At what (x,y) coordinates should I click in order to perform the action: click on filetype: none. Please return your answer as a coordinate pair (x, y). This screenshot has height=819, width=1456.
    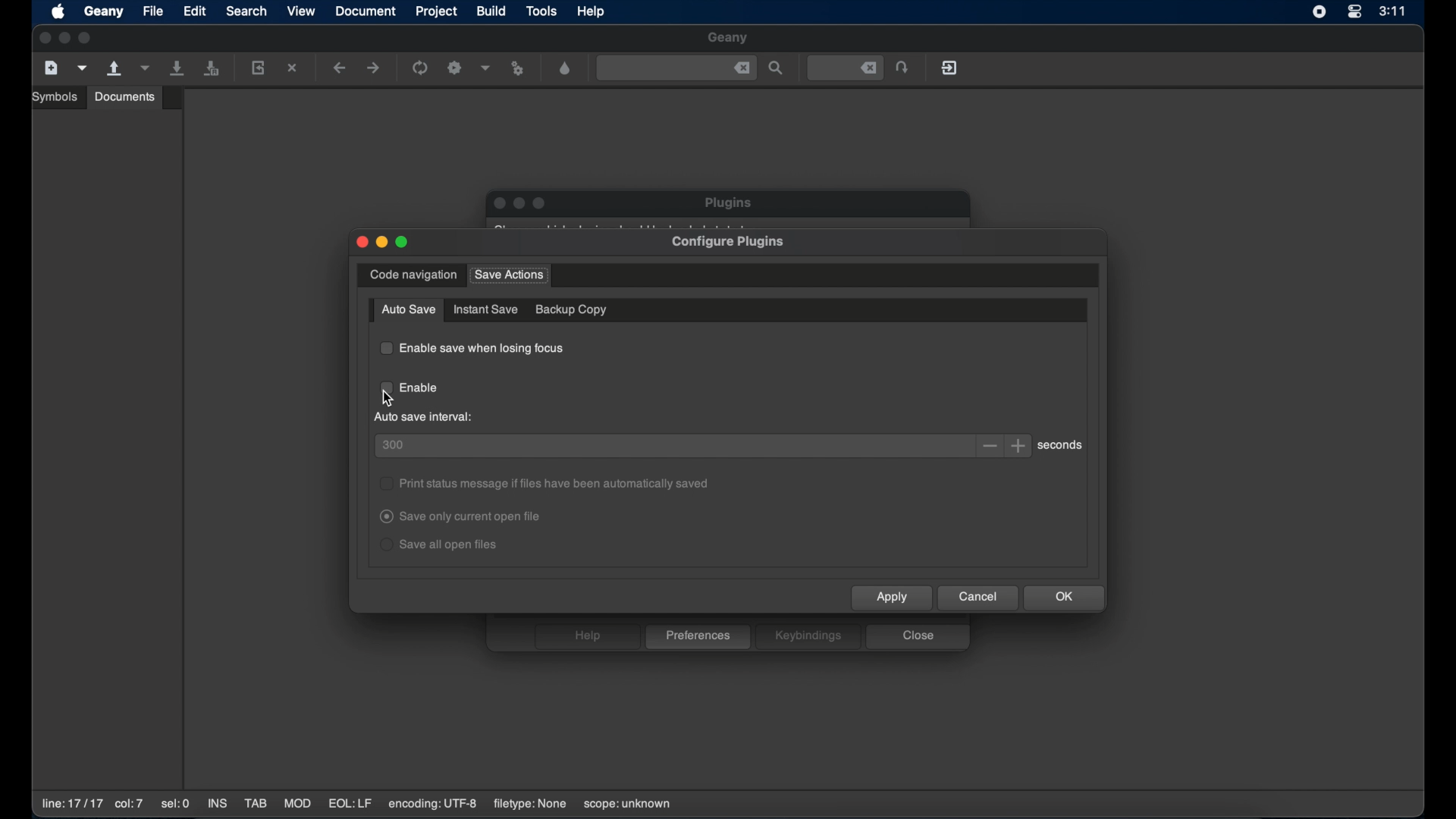
    Looking at the image, I should click on (529, 804).